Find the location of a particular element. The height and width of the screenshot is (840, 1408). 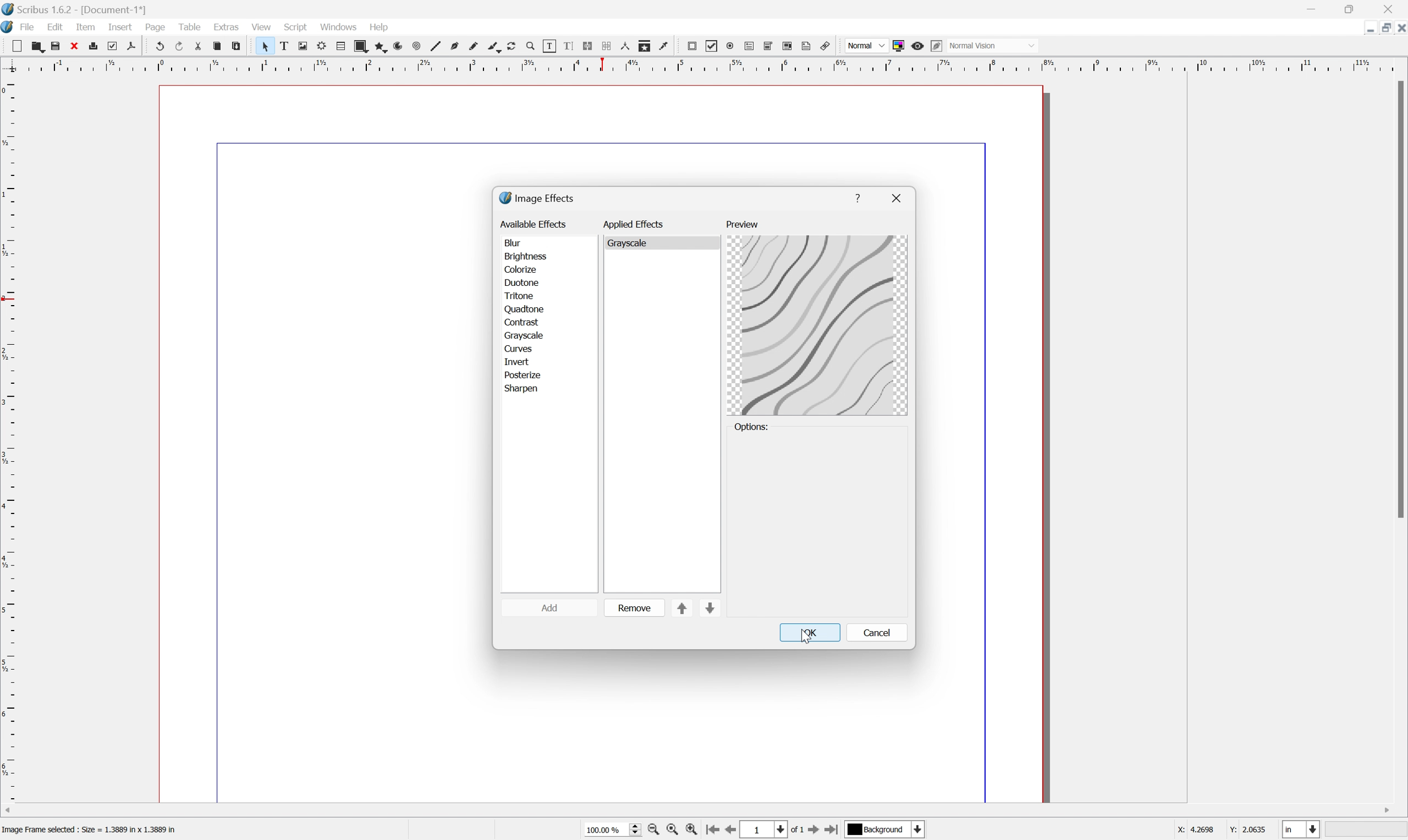

Y: 2.0635 is located at coordinates (1249, 830).